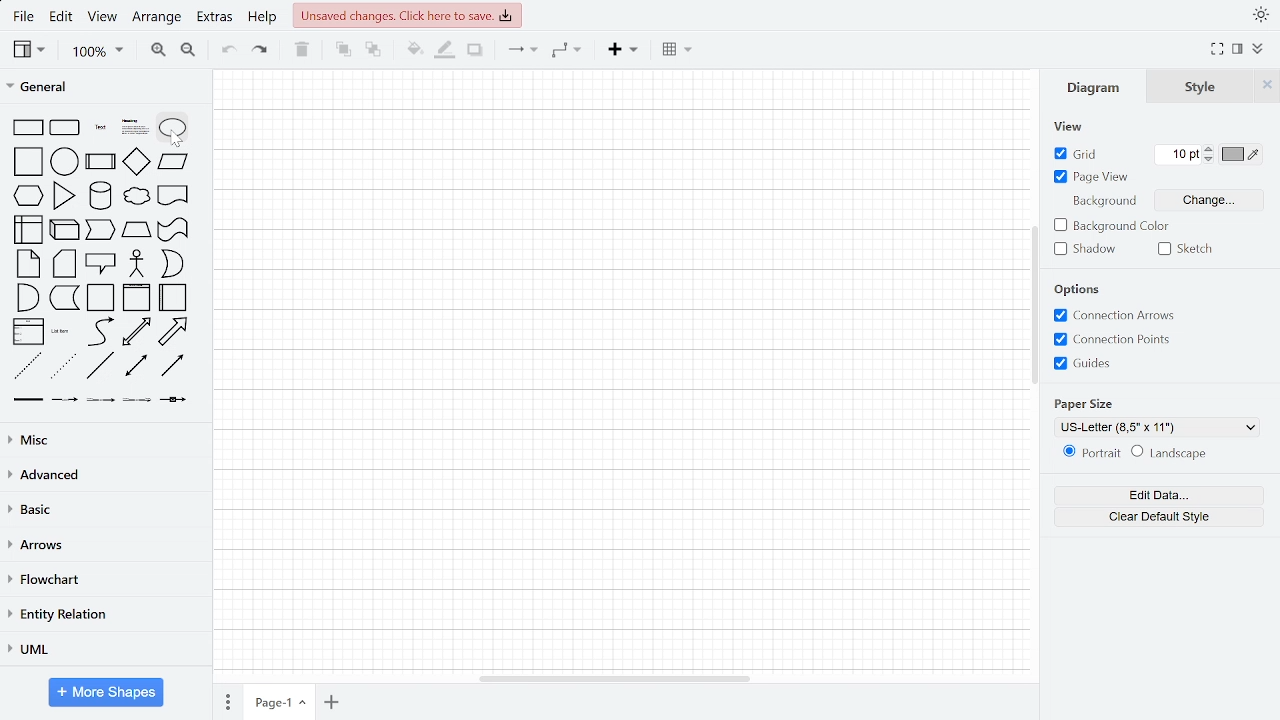 This screenshot has width=1280, height=720. I want to click on lanndscape, so click(1172, 452).